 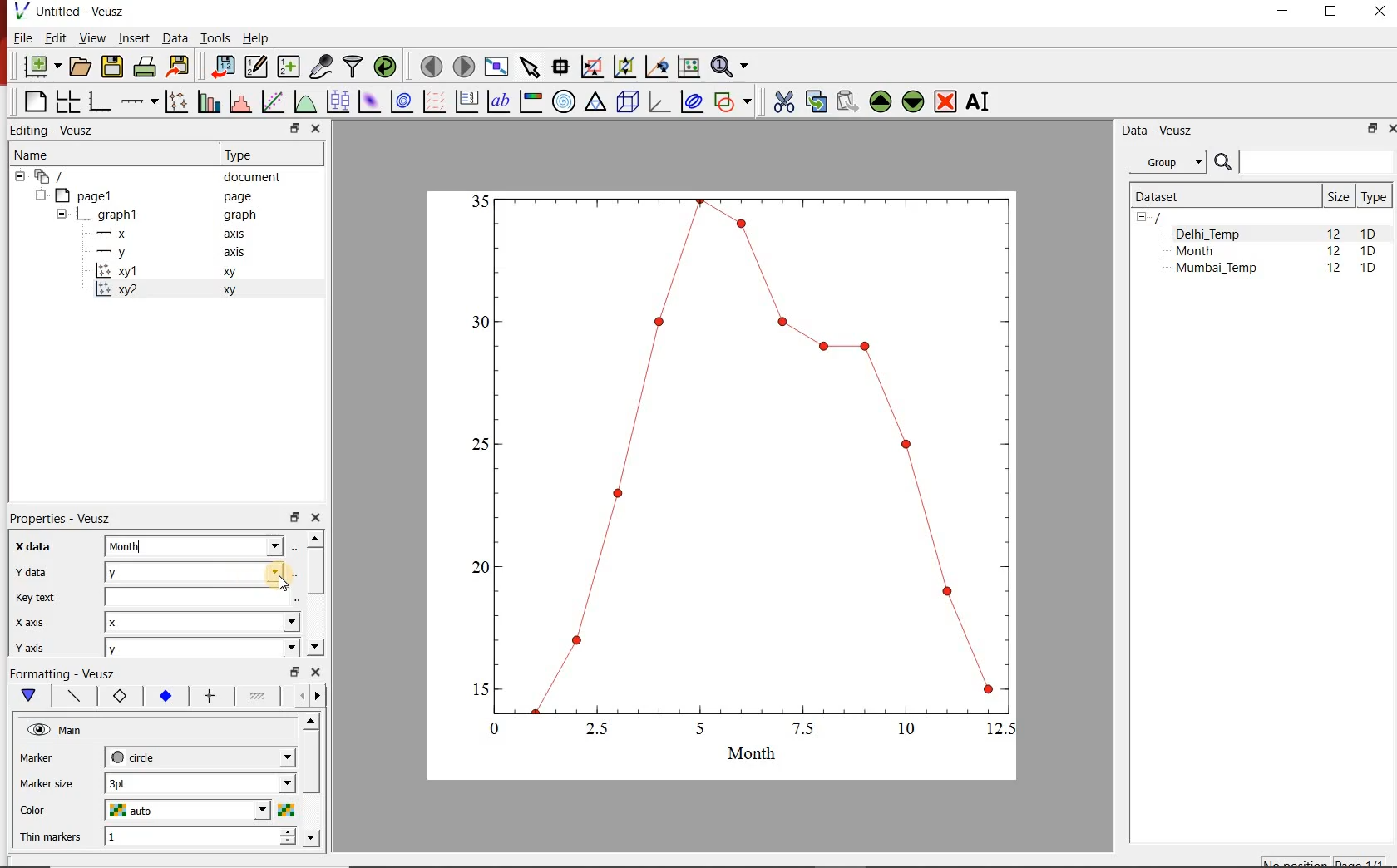 I want to click on File, so click(x=22, y=37).